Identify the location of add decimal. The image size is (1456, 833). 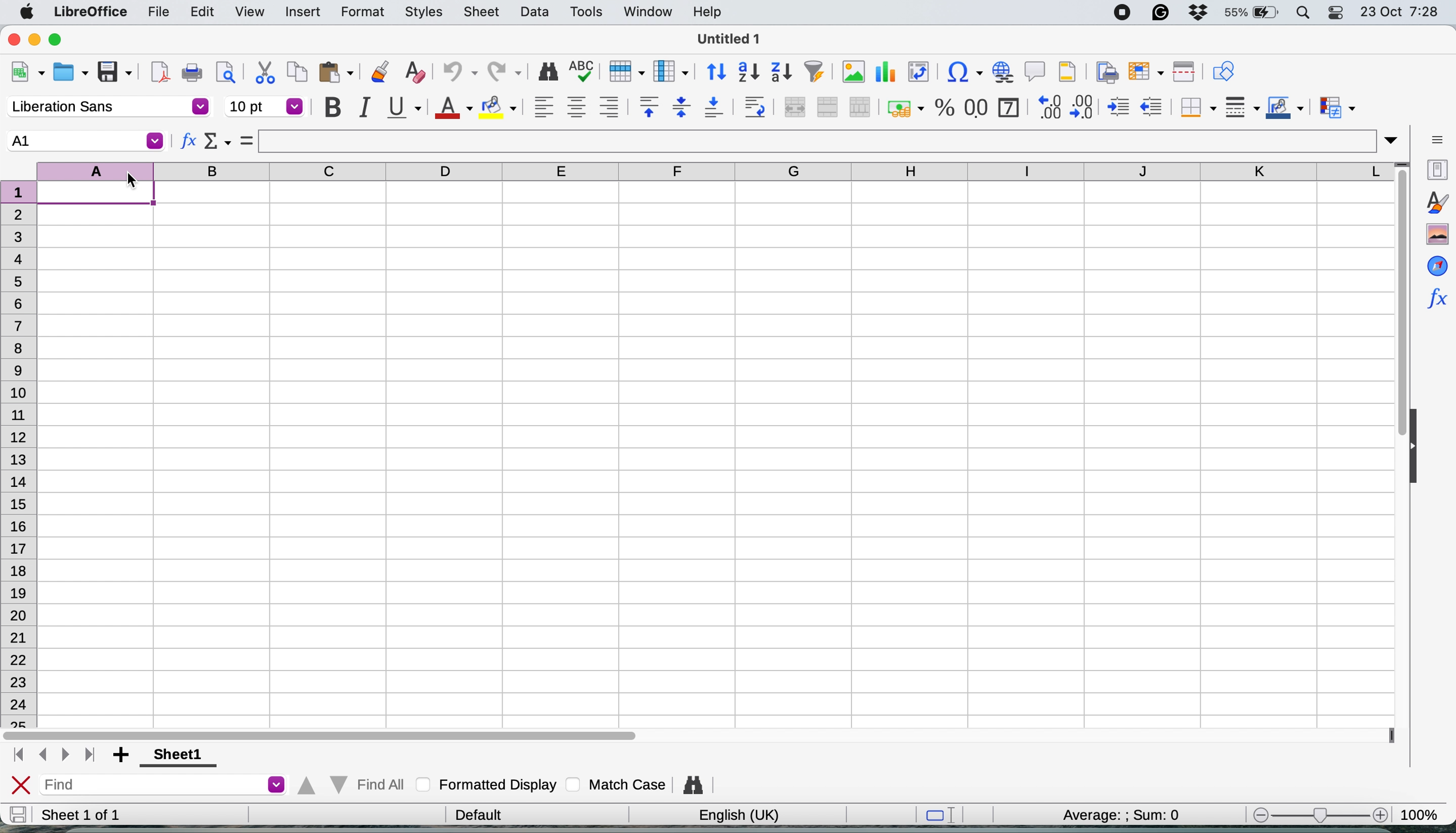
(1049, 106).